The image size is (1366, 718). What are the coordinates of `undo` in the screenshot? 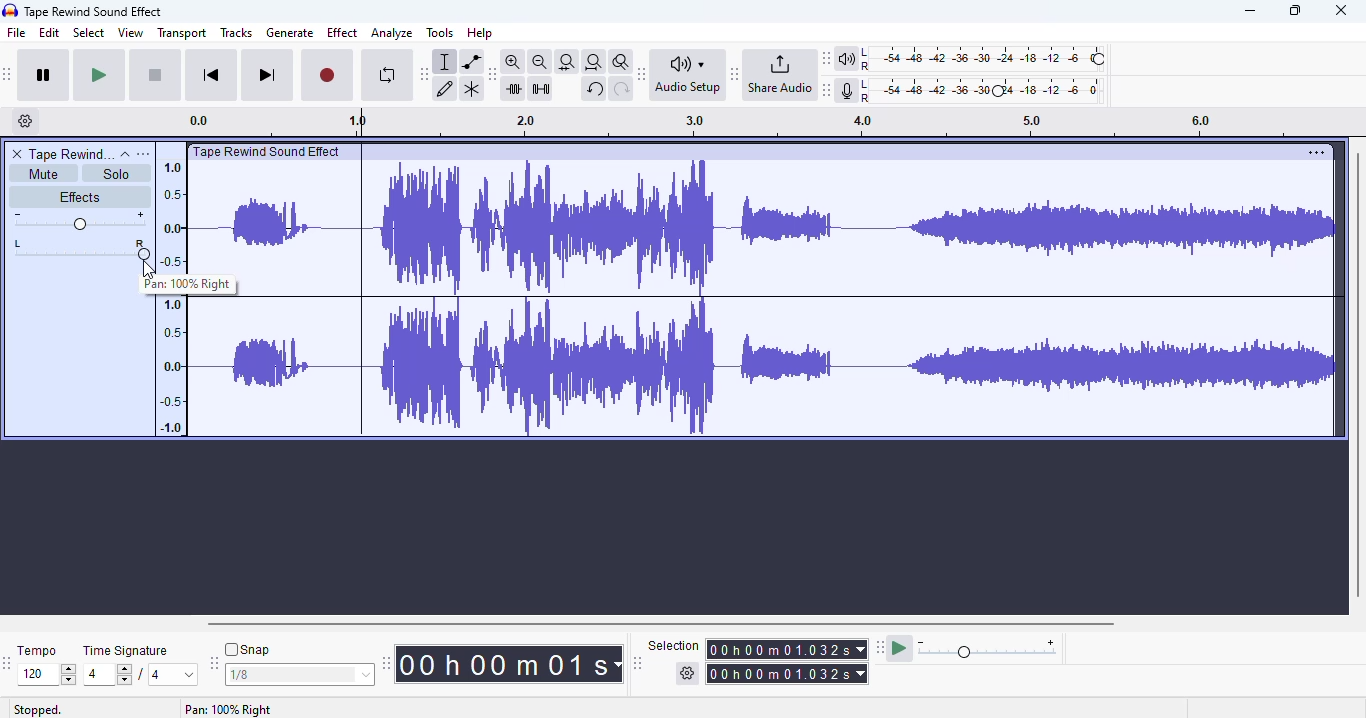 It's located at (594, 89).